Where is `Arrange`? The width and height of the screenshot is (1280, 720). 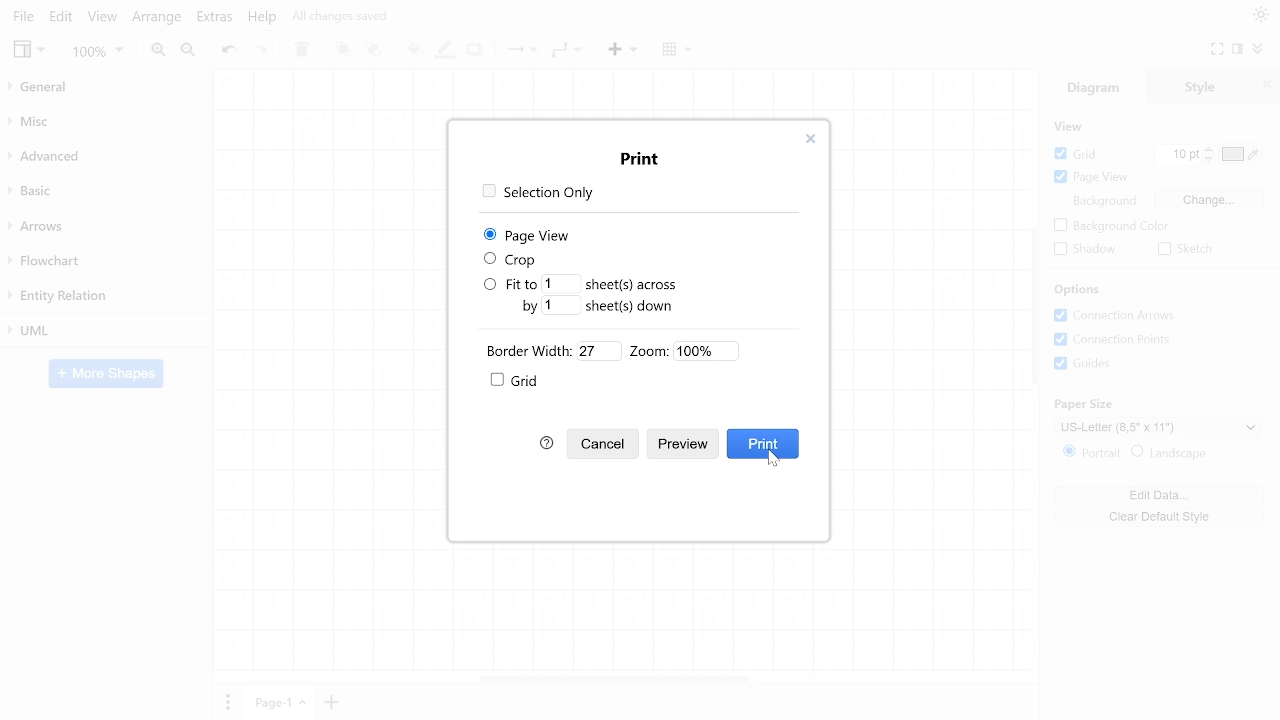
Arrange is located at coordinates (157, 18).